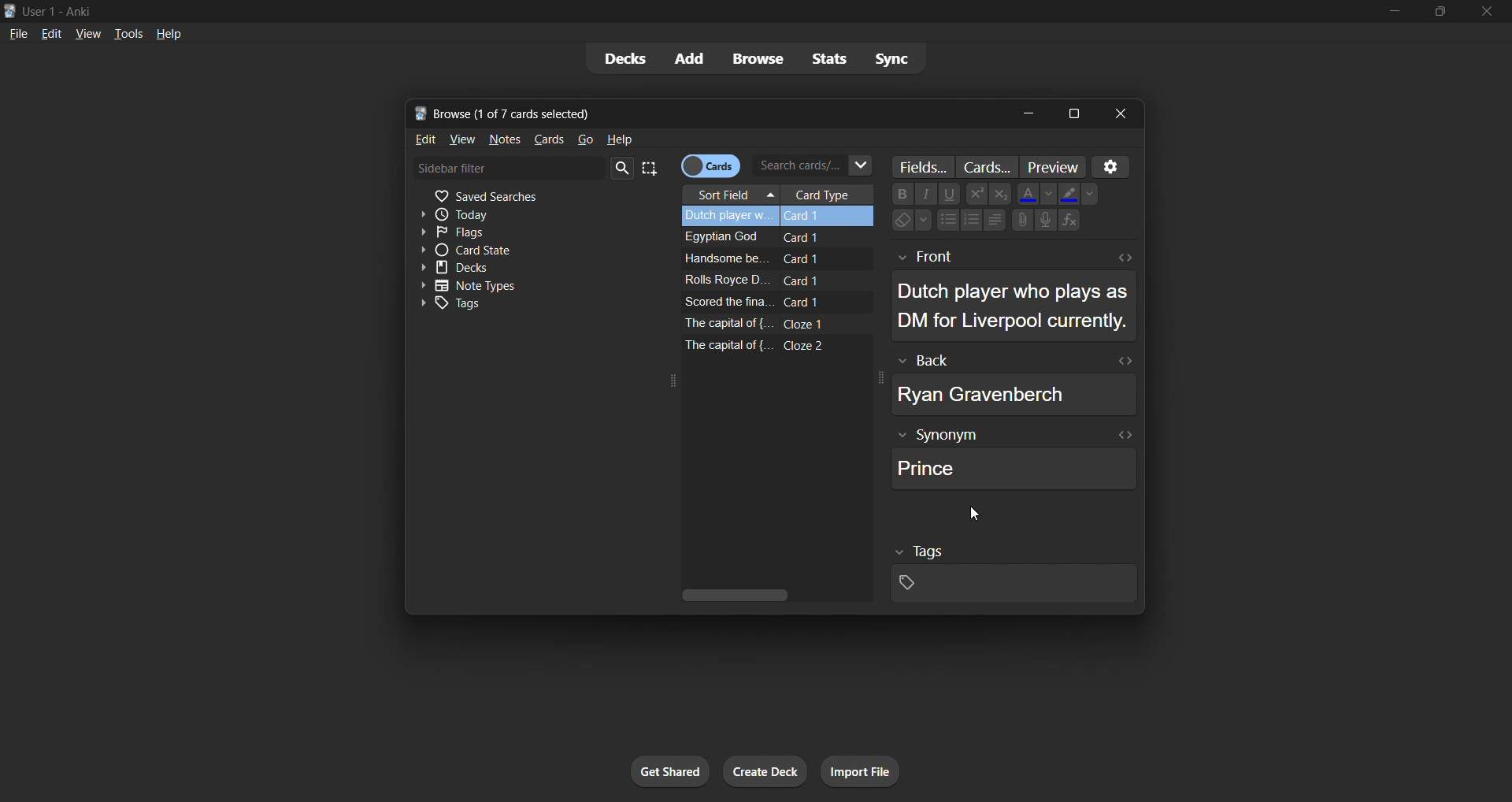 The width and height of the screenshot is (1512, 802). Describe the element at coordinates (647, 170) in the screenshot. I see `select all` at that location.